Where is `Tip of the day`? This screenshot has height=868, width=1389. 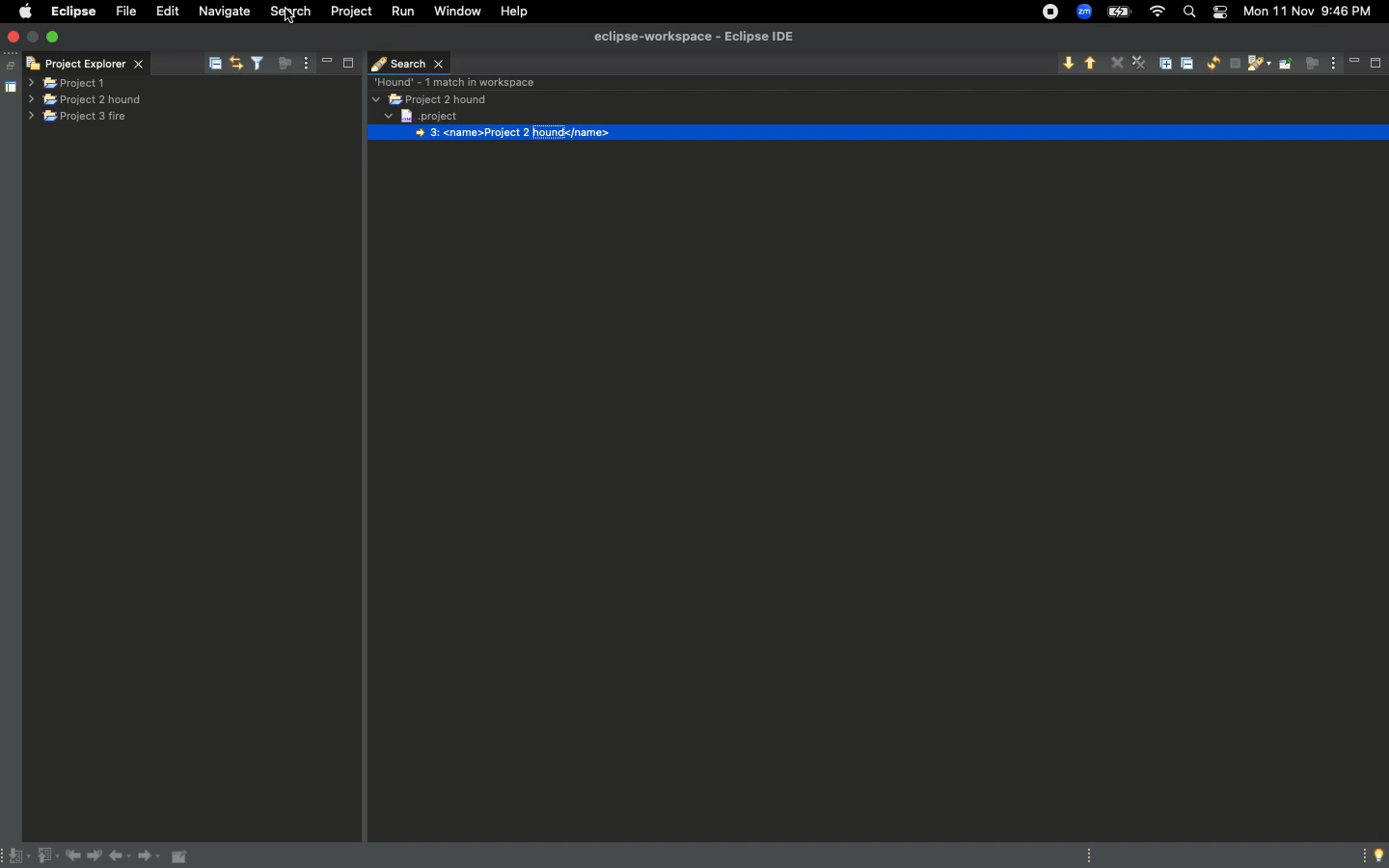 Tip of the day is located at coordinates (1374, 855).